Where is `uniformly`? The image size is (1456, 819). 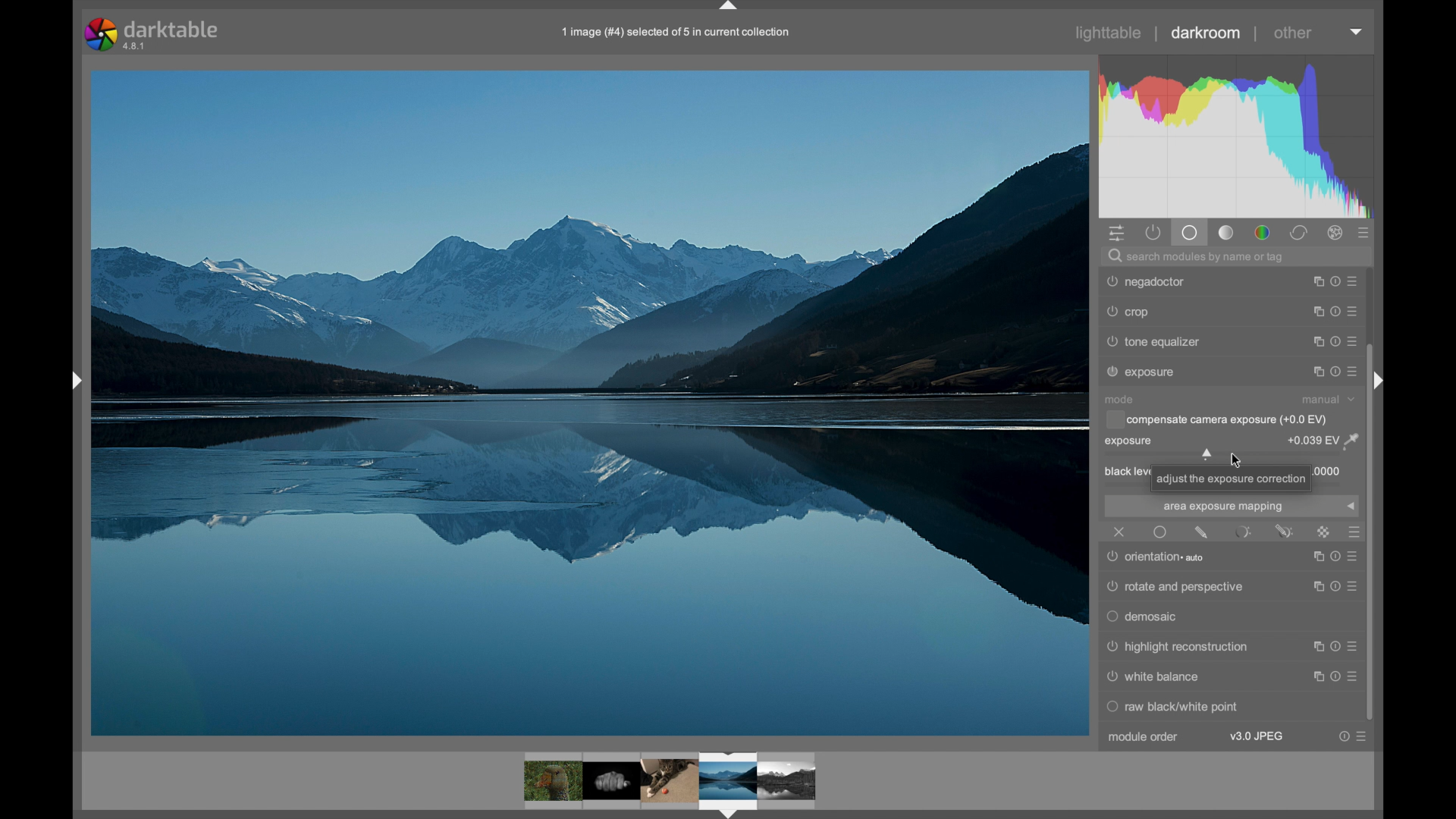
uniformly is located at coordinates (1160, 532).